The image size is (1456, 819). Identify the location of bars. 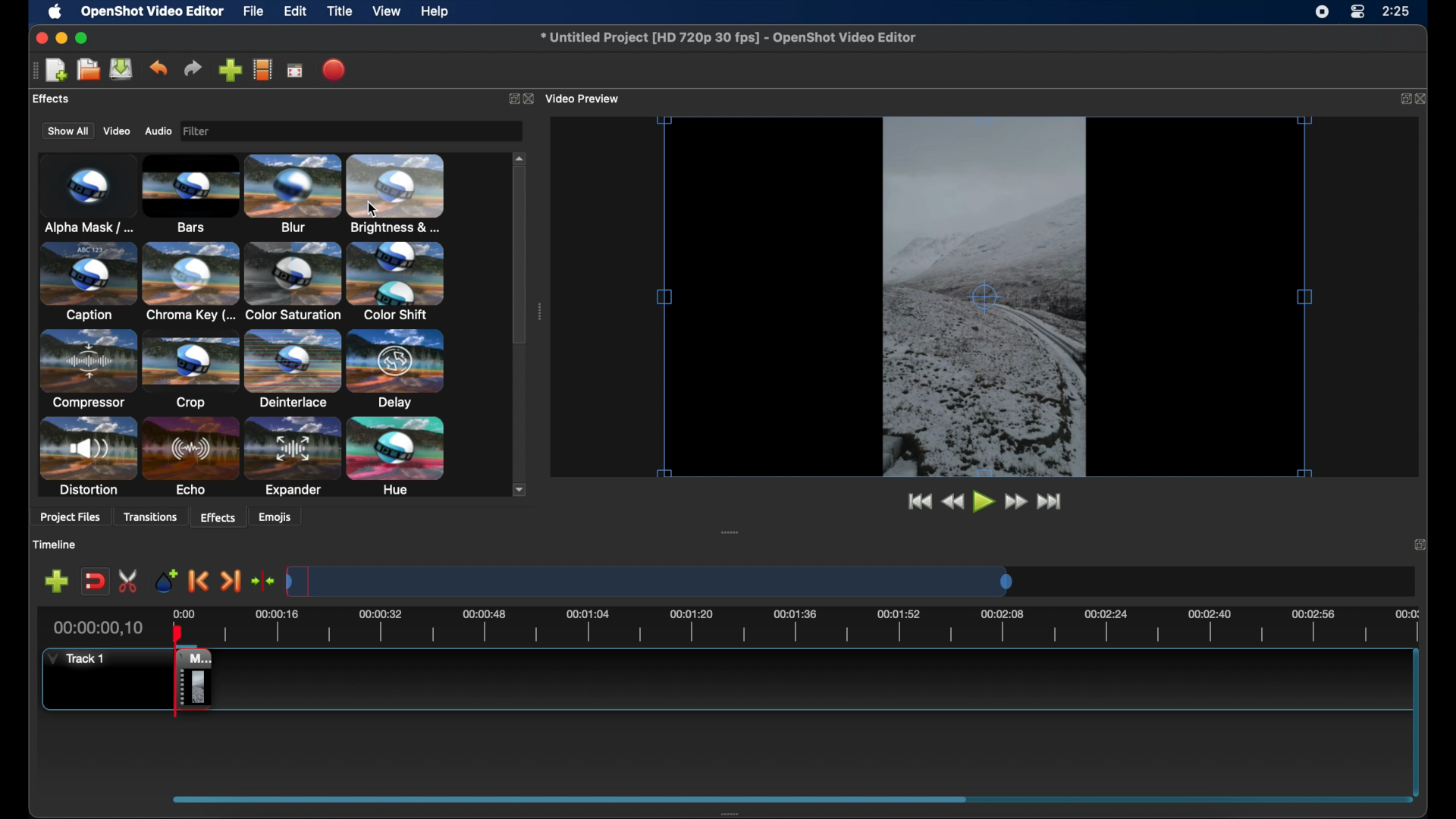
(191, 192).